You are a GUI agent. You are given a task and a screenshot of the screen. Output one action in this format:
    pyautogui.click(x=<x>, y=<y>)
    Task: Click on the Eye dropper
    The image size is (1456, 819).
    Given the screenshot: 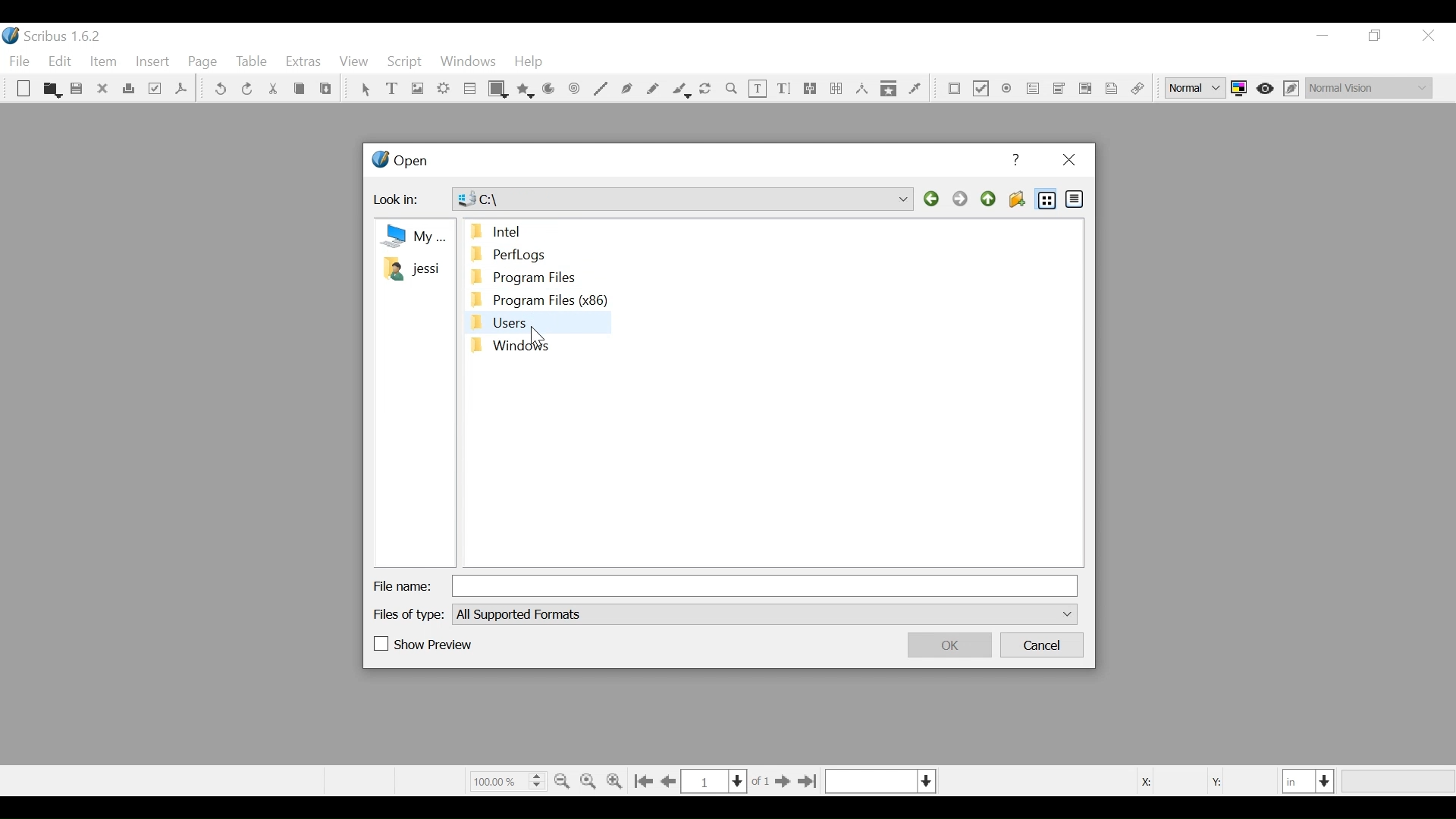 What is the action you would take?
    pyautogui.click(x=915, y=88)
    